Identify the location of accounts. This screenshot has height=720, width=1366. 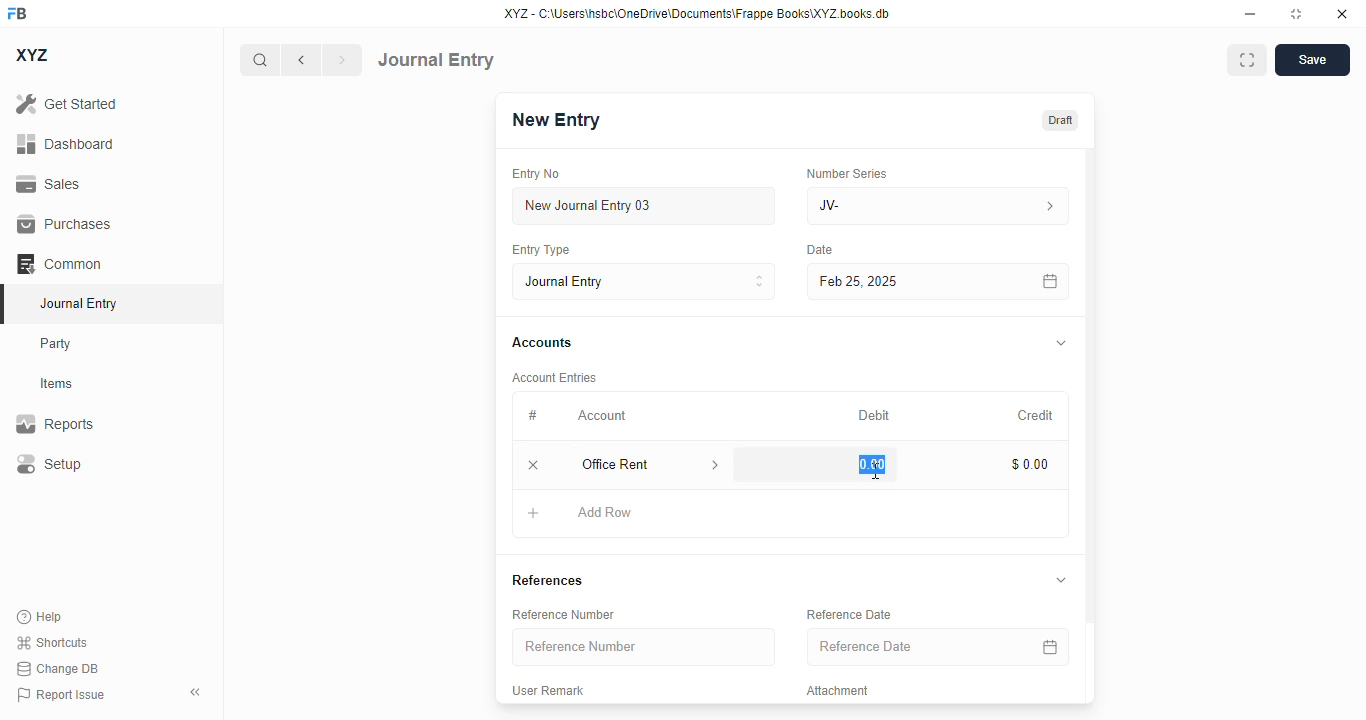
(542, 343).